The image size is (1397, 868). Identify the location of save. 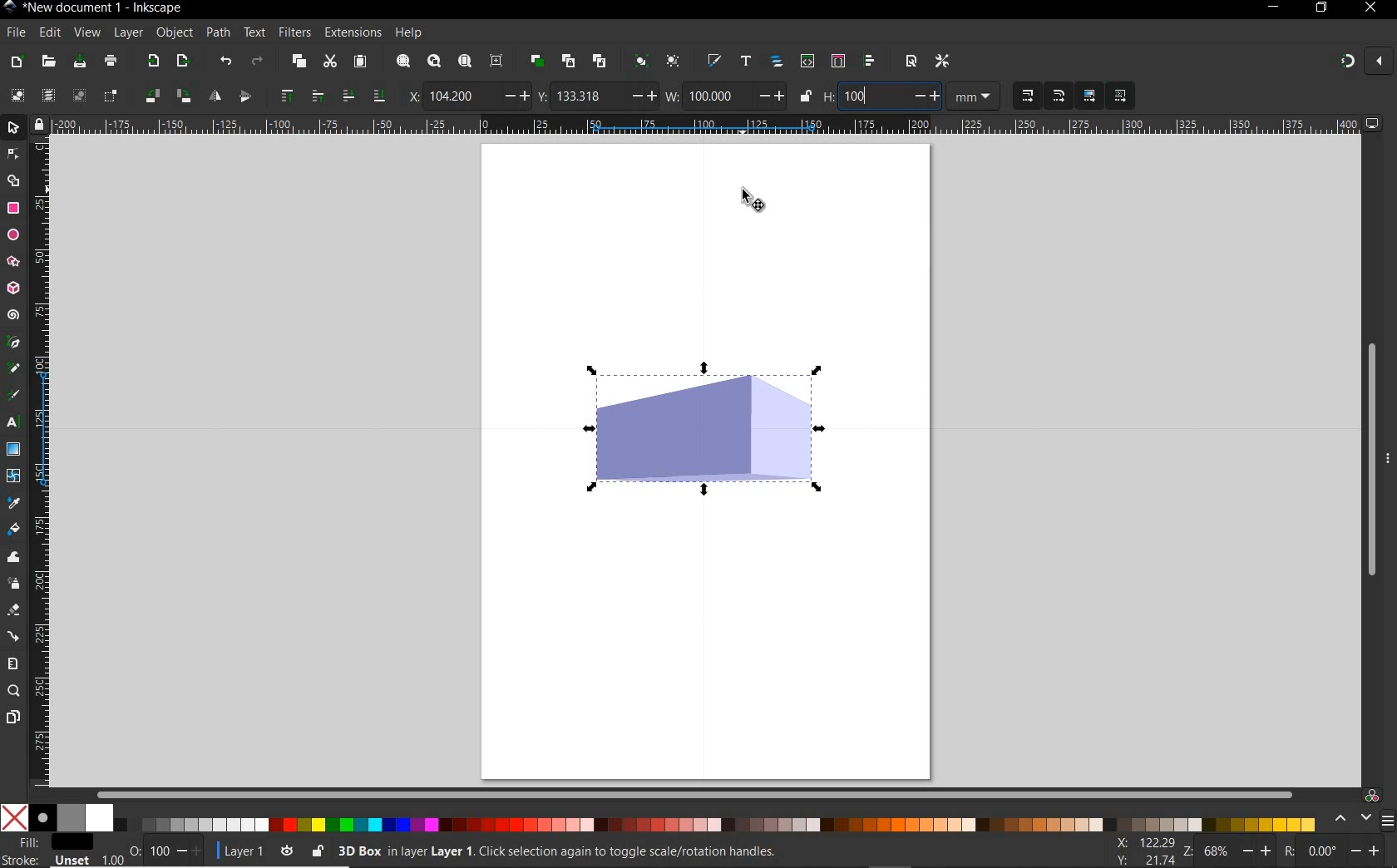
(79, 61).